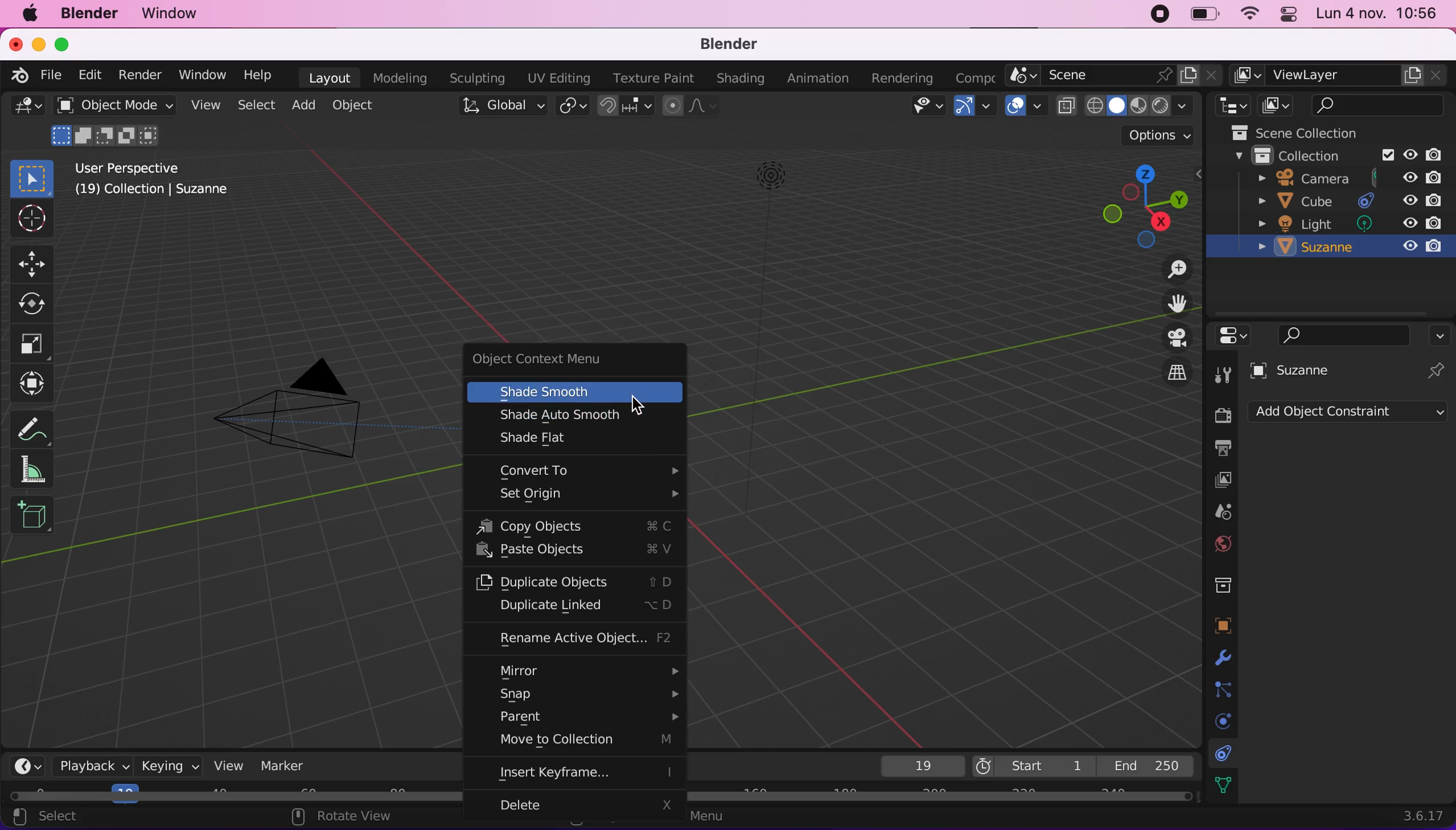 Image resolution: width=1456 pixels, height=830 pixels. I want to click on view, so click(230, 766).